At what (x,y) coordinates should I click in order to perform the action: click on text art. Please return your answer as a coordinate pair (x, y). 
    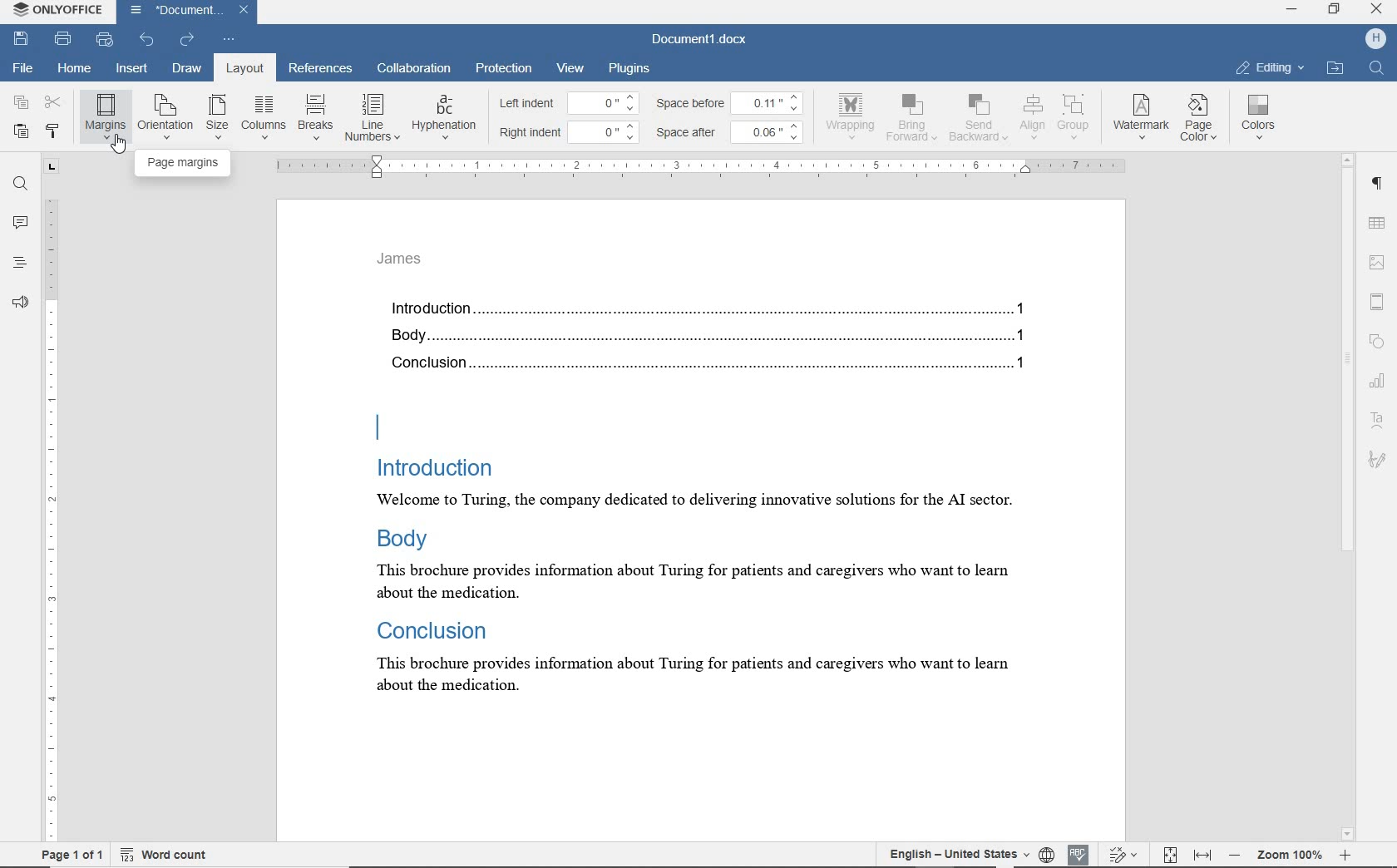
    Looking at the image, I should click on (1377, 423).